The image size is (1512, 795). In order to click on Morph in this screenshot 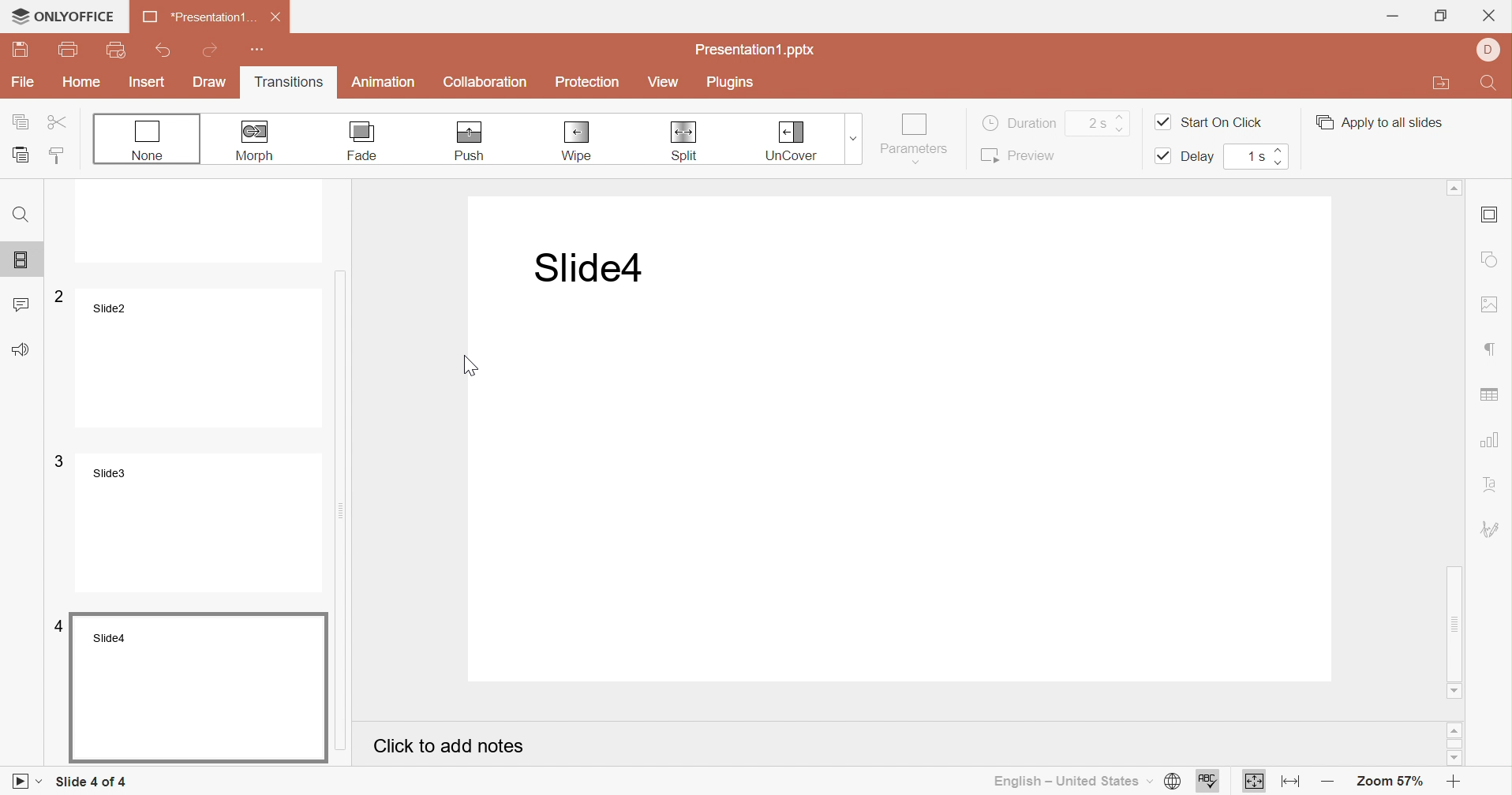, I will do `click(253, 140)`.